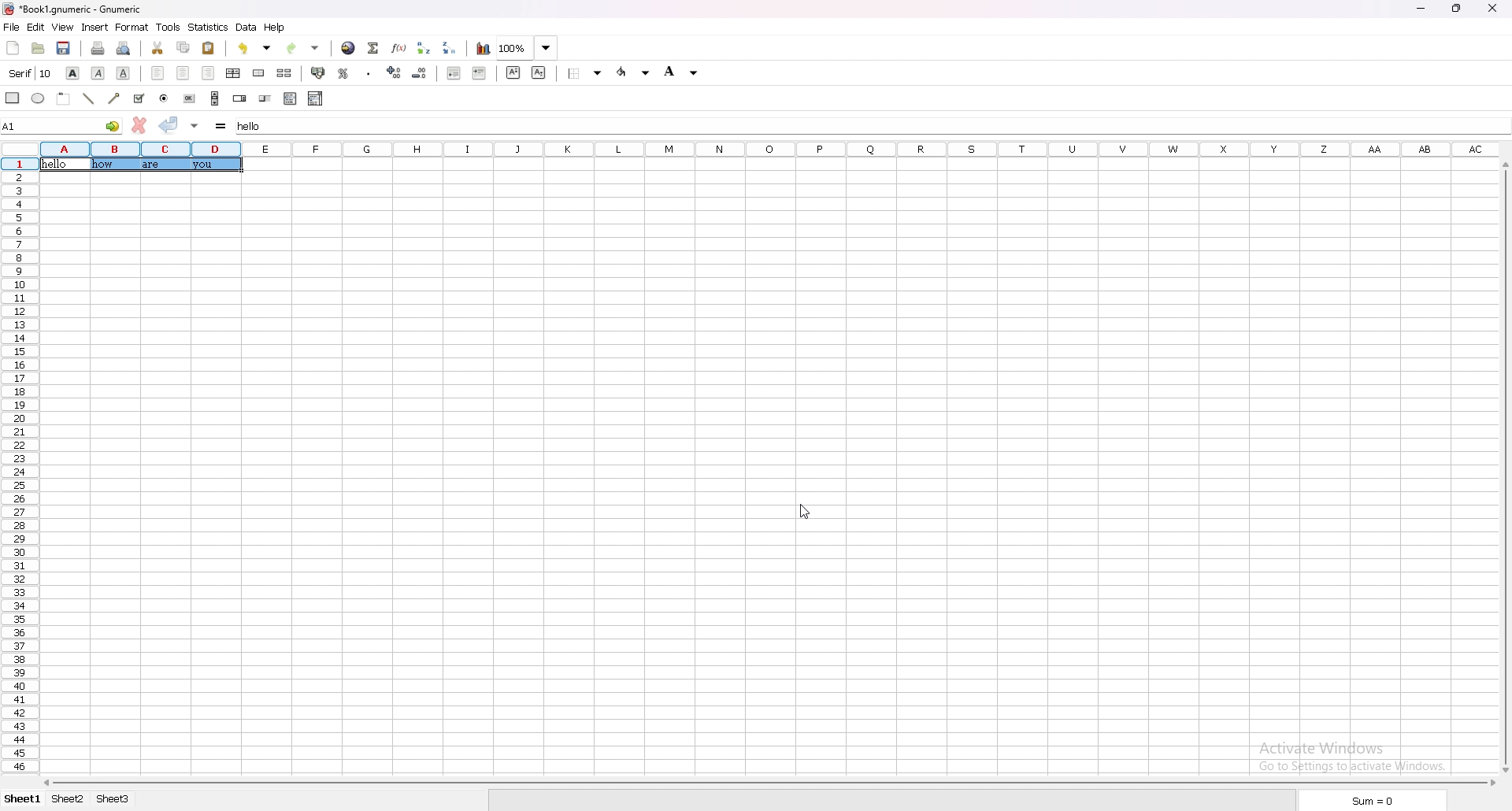 The width and height of the screenshot is (1512, 811). I want to click on paste, so click(209, 47).